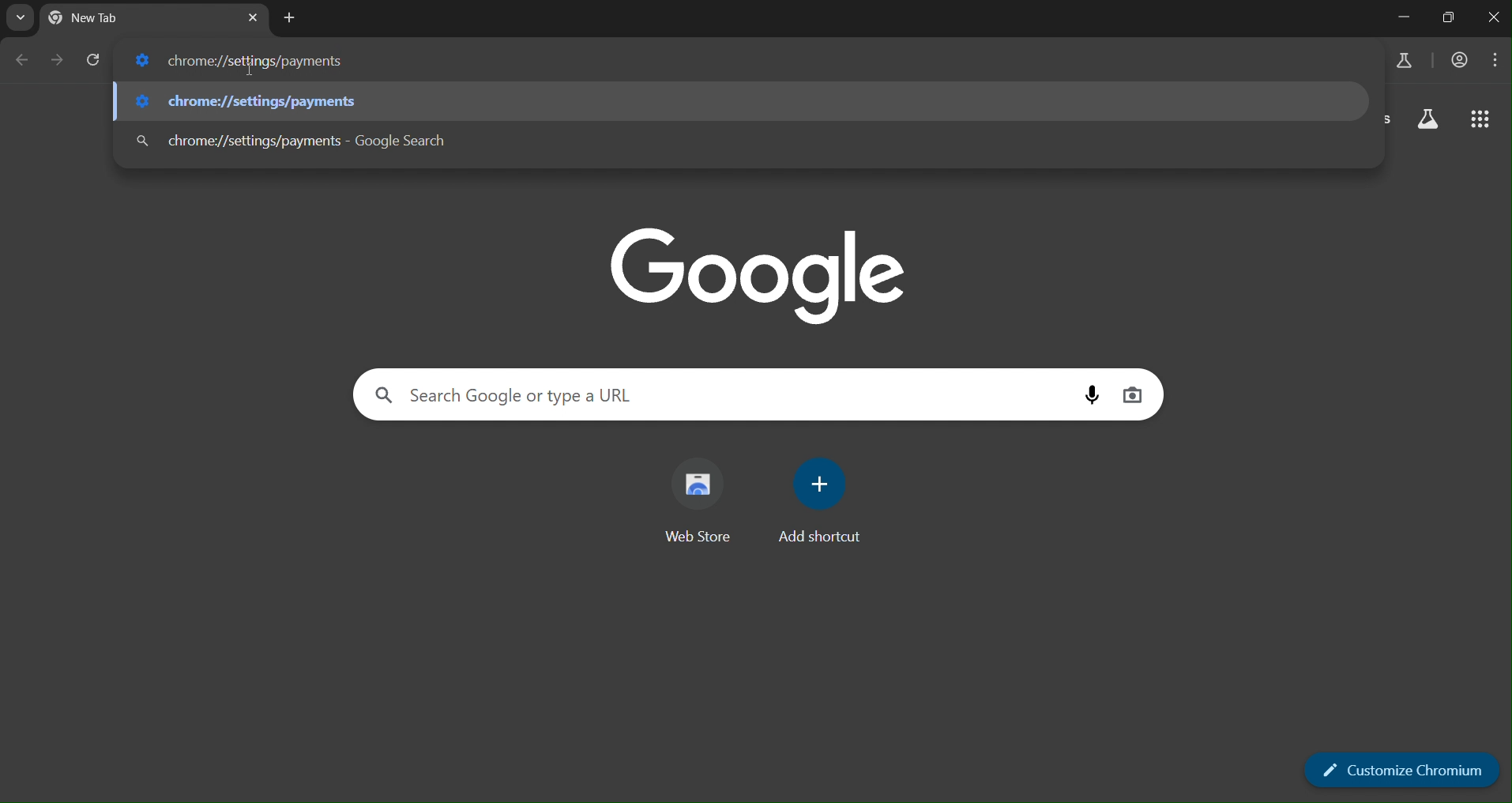  Describe the element at coordinates (1093, 394) in the screenshot. I see `voice search` at that location.